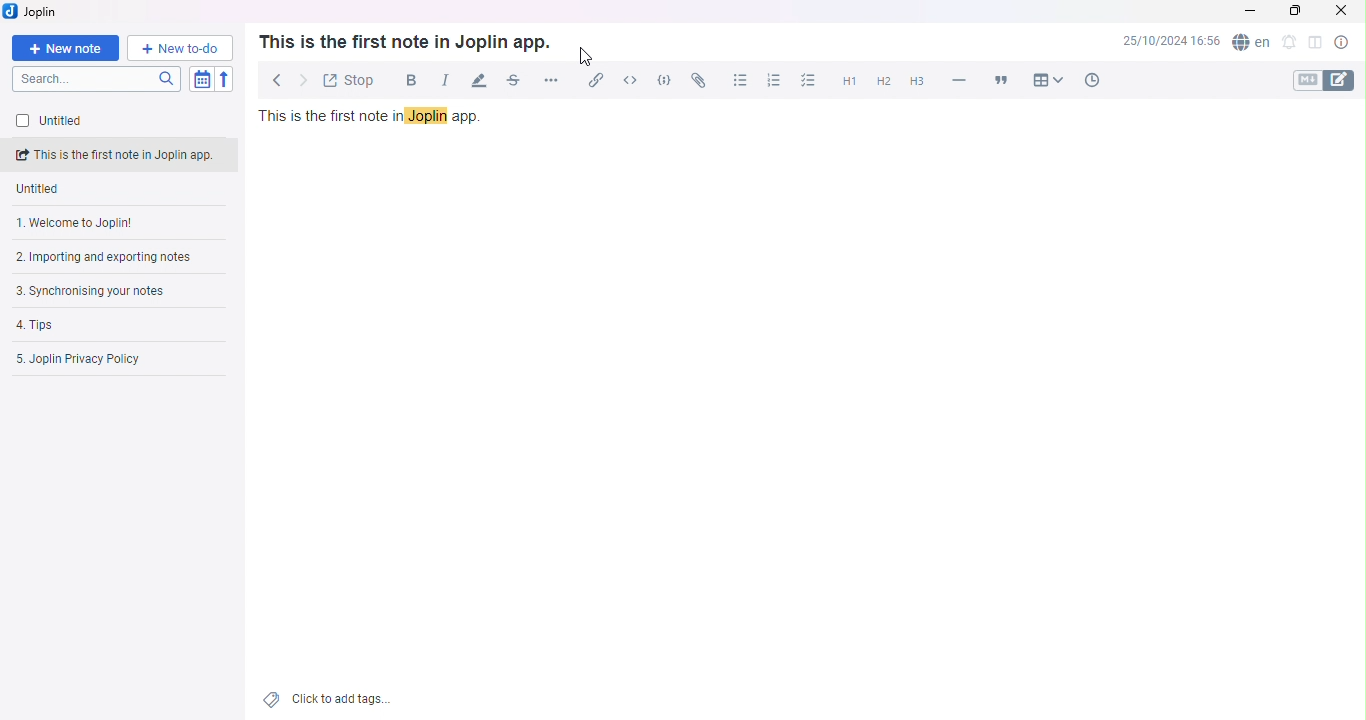  What do you see at coordinates (477, 79) in the screenshot?
I see `Highlight` at bounding box center [477, 79].